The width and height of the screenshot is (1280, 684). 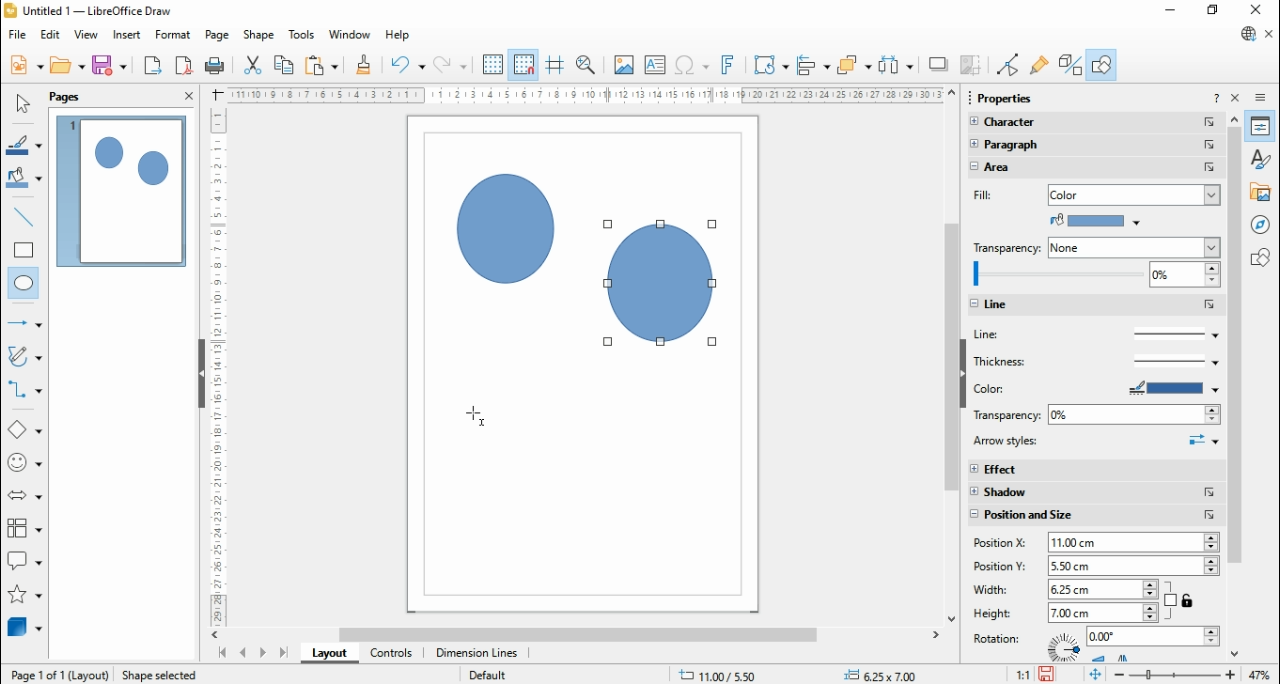 What do you see at coordinates (585, 95) in the screenshot?
I see `Scale` at bounding box center [585, 95].